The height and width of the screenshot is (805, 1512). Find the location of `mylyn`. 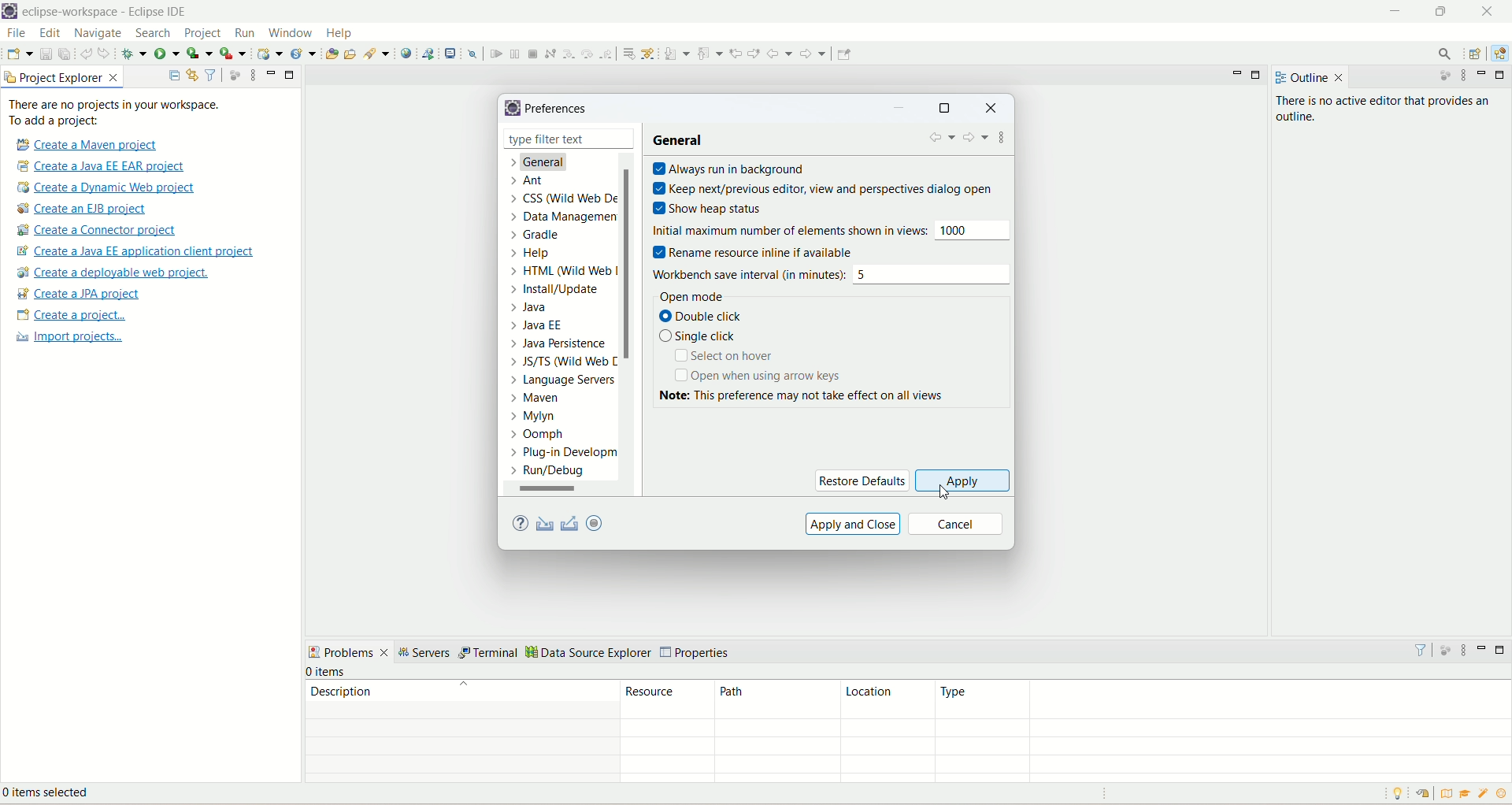

mylyn is located at coordinates (533, 417).